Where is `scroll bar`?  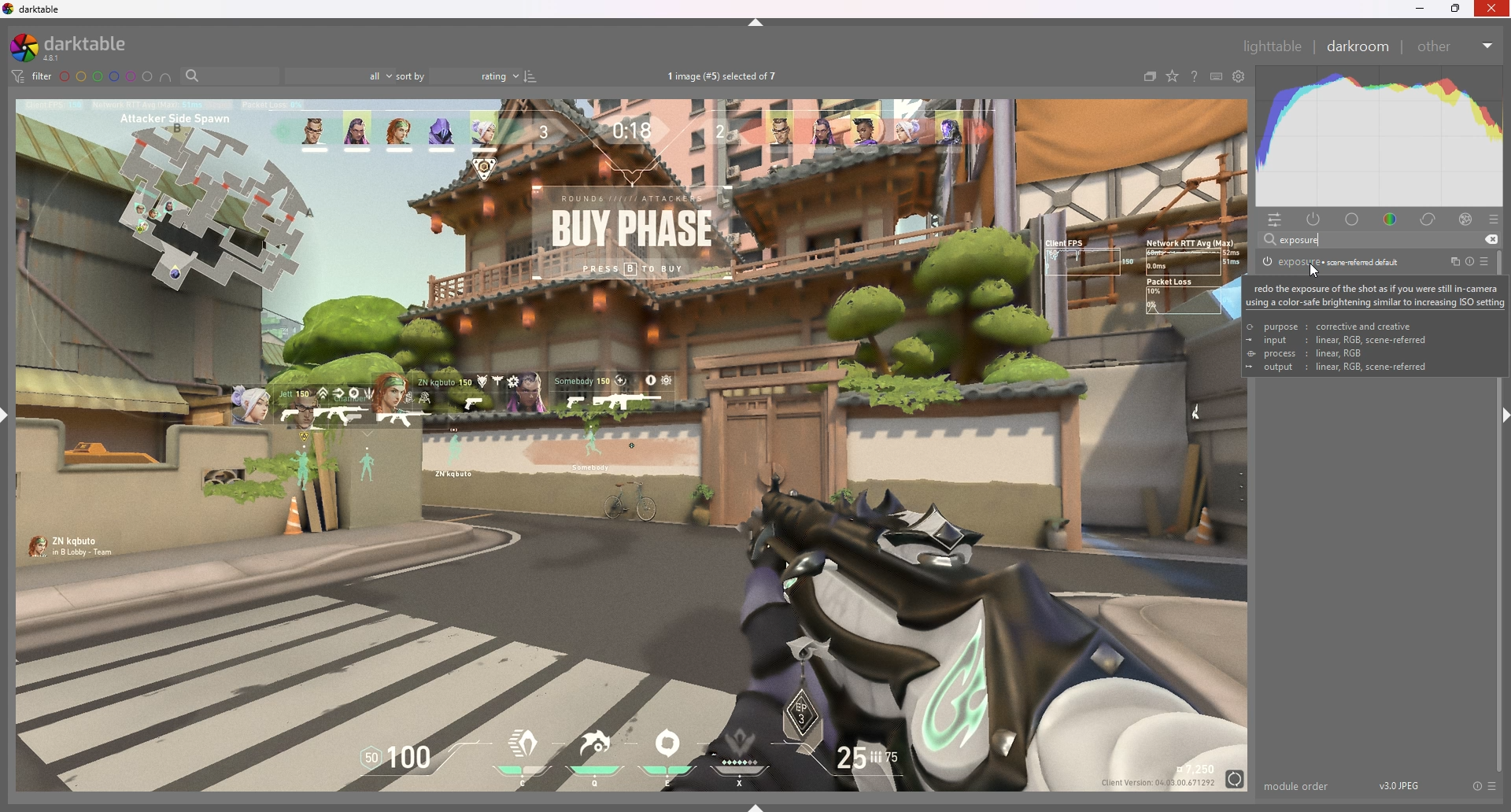
scroll bar is located at coordinates (1505, 578).